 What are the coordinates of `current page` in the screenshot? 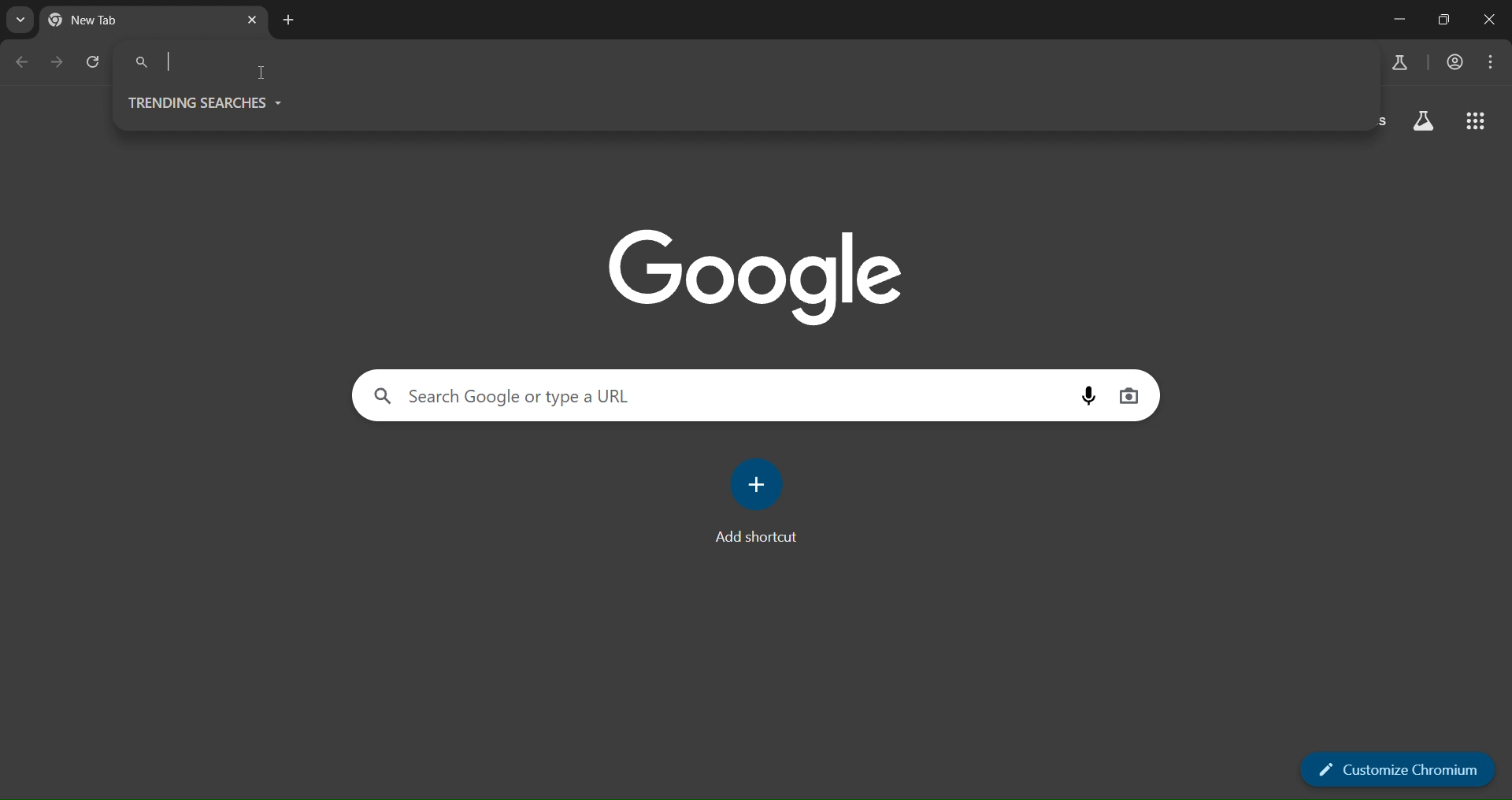 It's located at (109, 19).